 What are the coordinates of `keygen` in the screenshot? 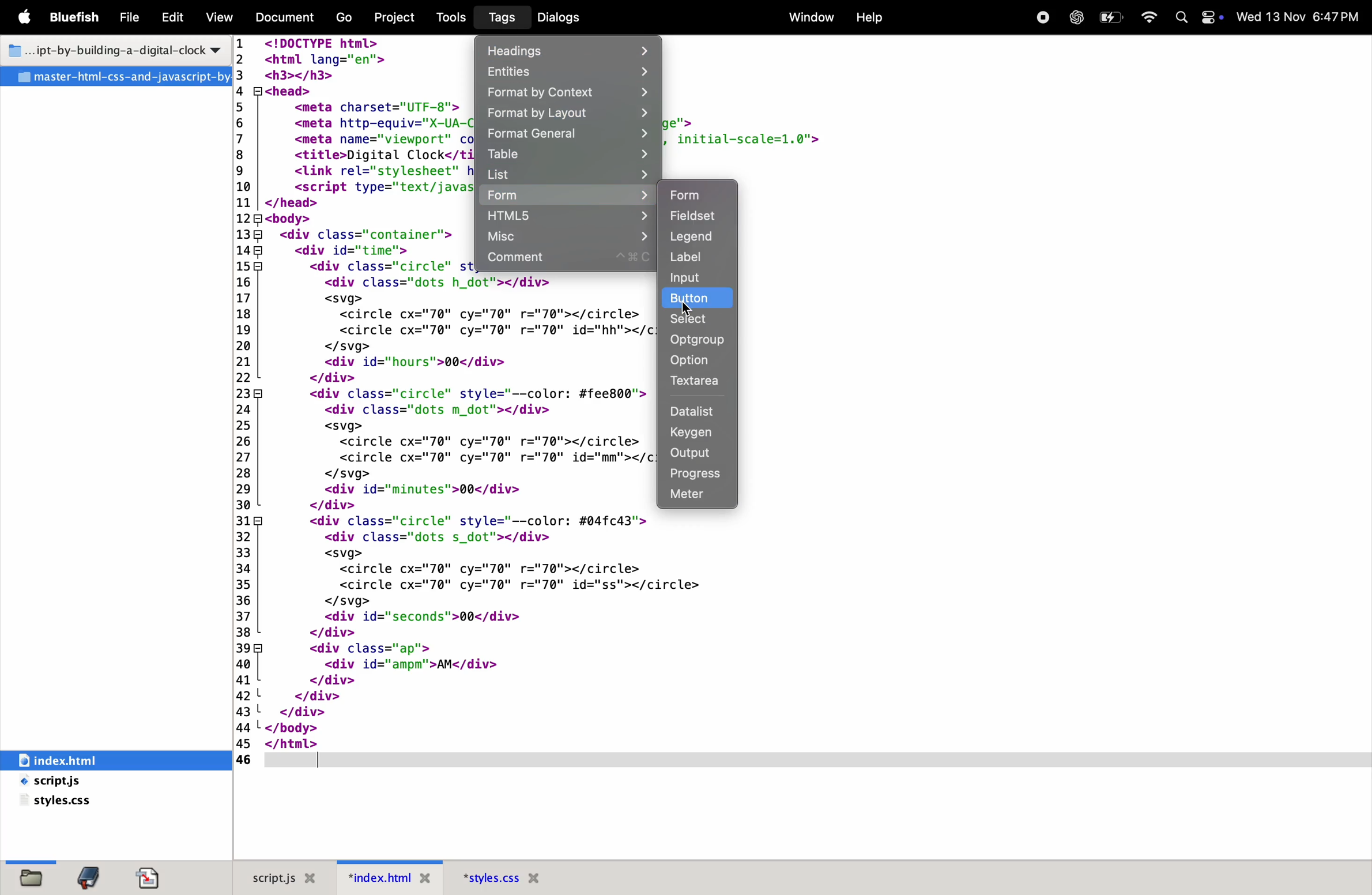 It's located at (698, 434).